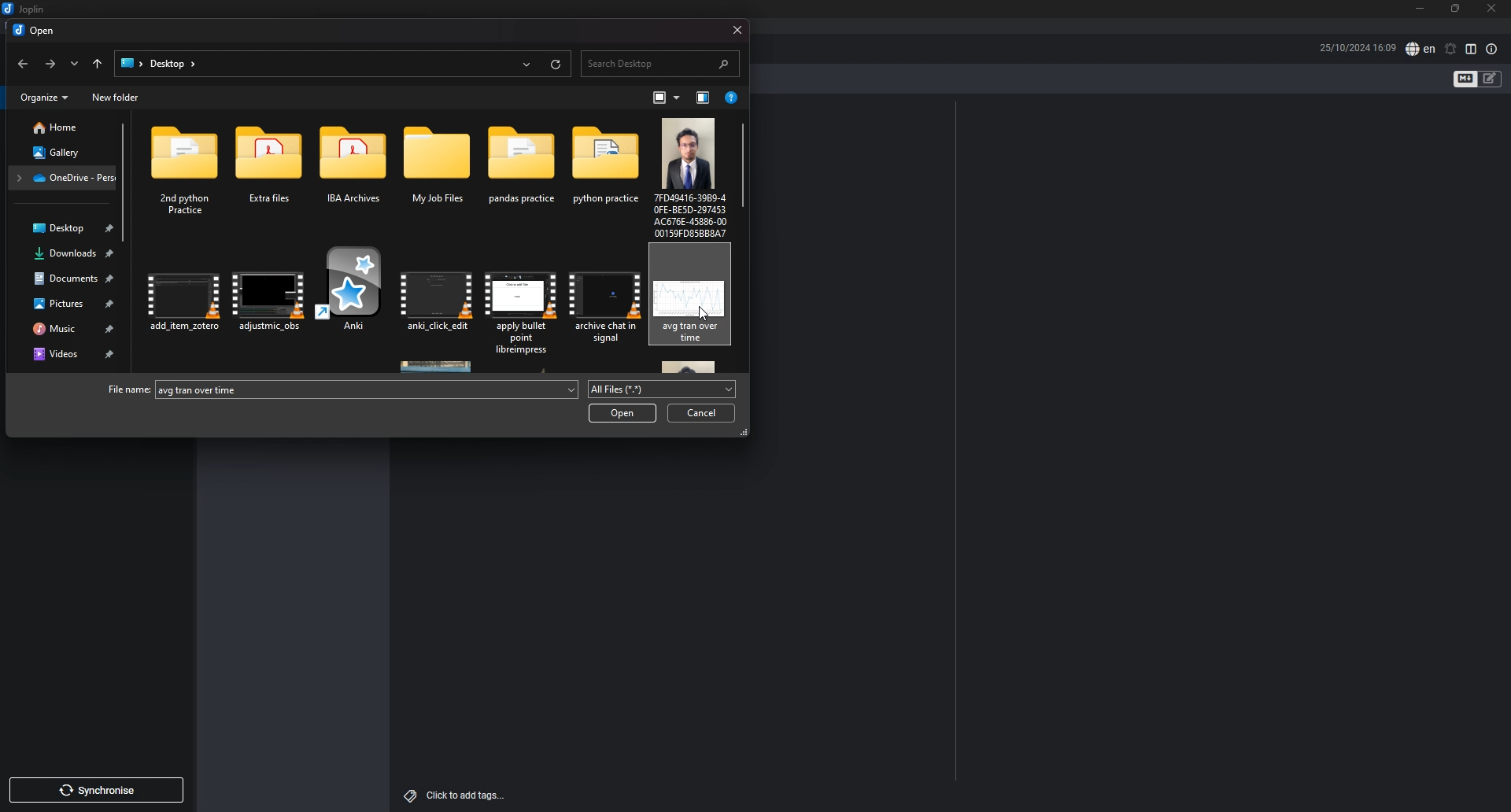 The image size is (1511, 812). What do you see at coordinates (173, 63) in the screenshot?
I see `desktop` at bounding box center [173, 63].